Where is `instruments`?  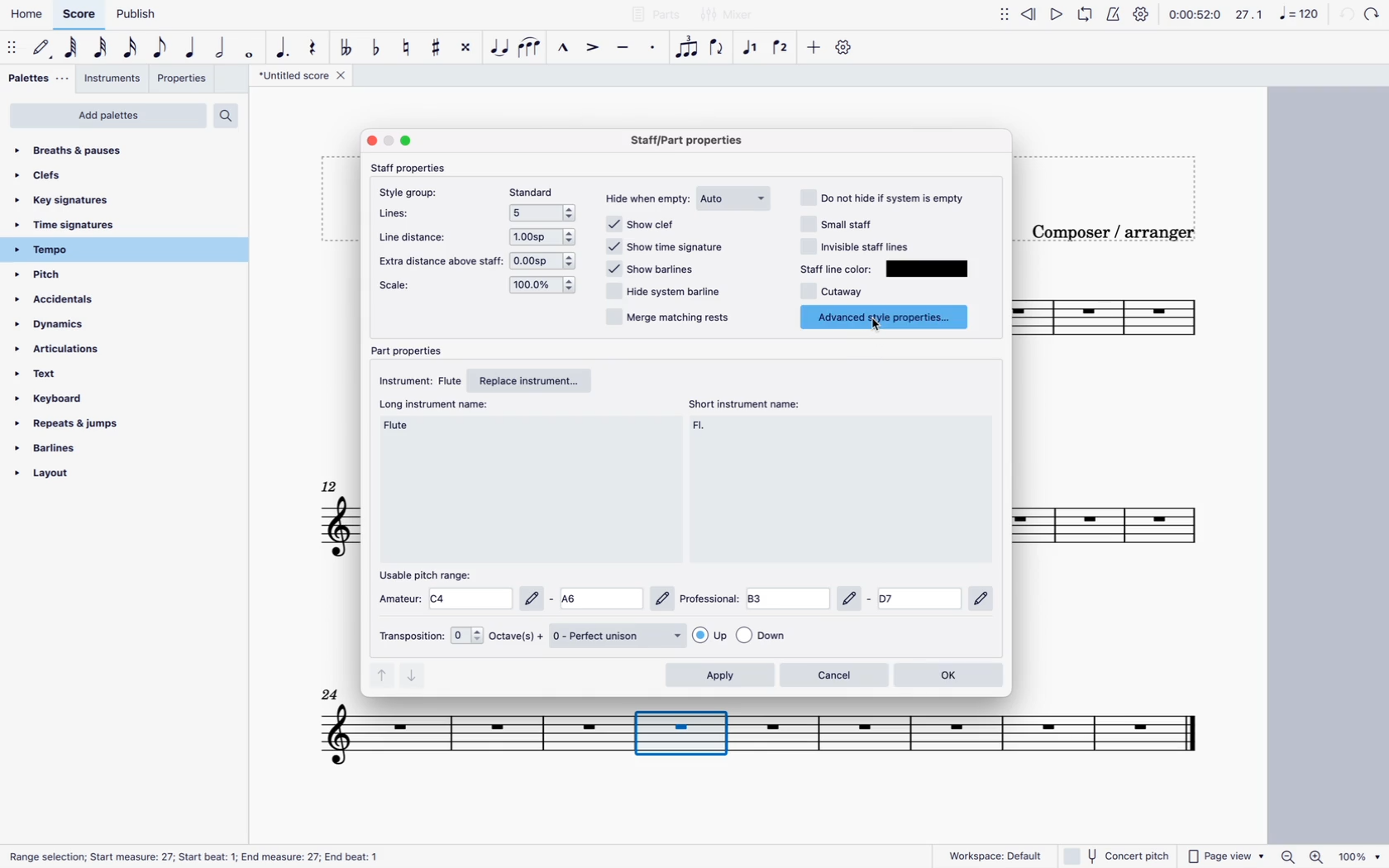
instruments is located at coordinates (112, 81).